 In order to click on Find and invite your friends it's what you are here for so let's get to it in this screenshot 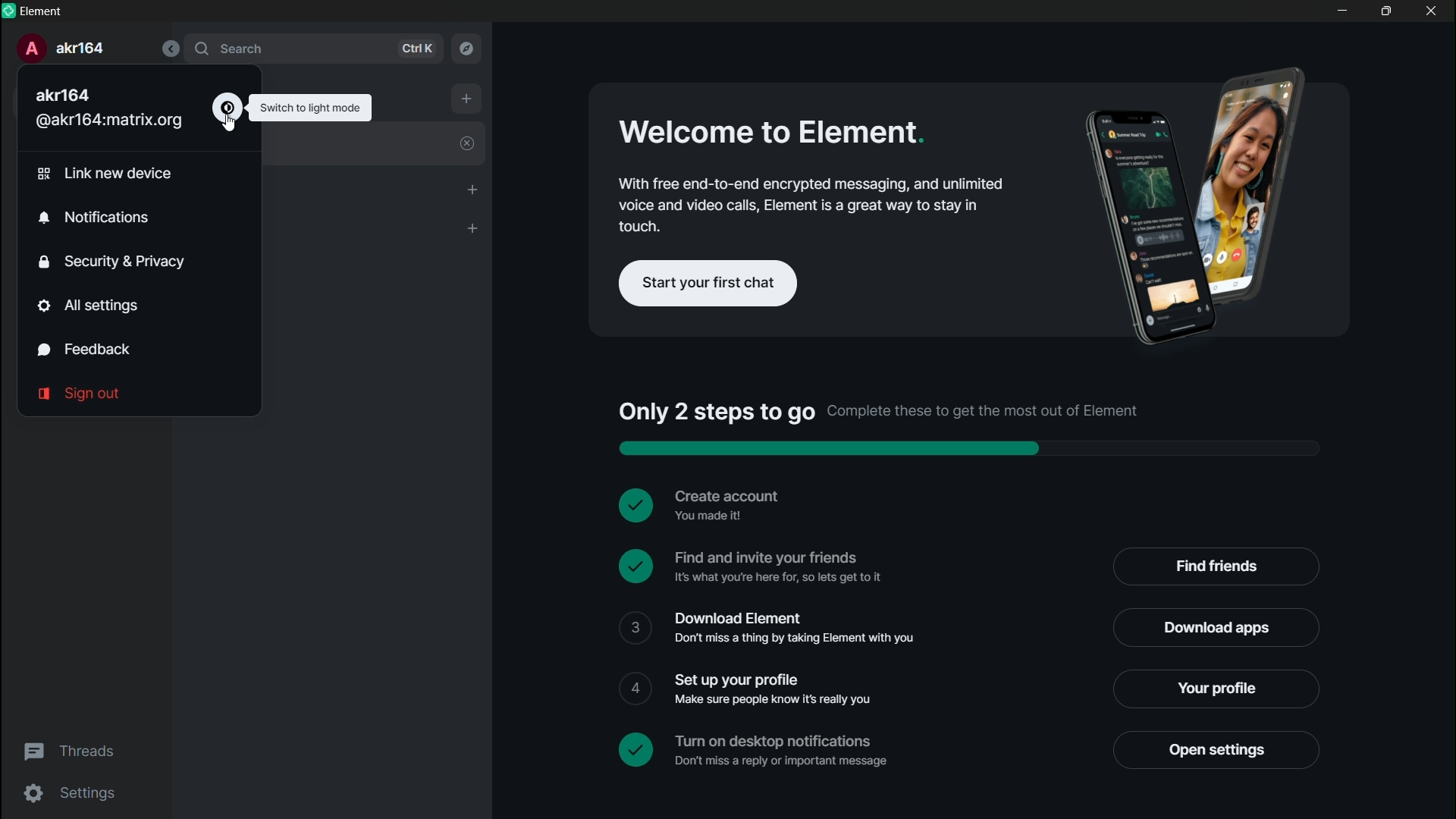, I will do `click(777, 567)`.